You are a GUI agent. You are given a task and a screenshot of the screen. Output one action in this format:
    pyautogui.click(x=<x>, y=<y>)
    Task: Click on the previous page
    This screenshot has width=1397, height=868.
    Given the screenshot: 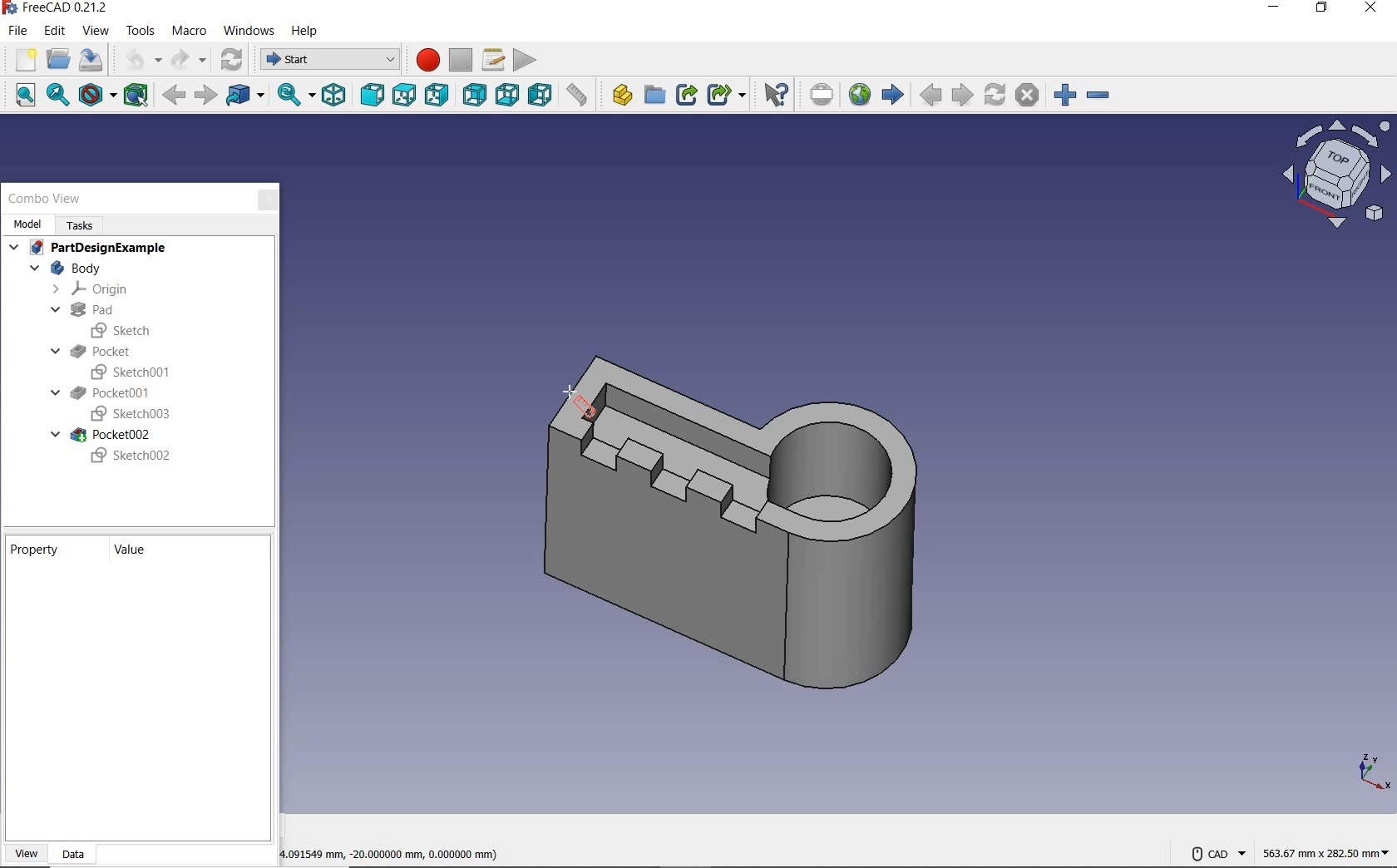 What is the action you would take?
    pyautogui.click(x=930, y=96)
    